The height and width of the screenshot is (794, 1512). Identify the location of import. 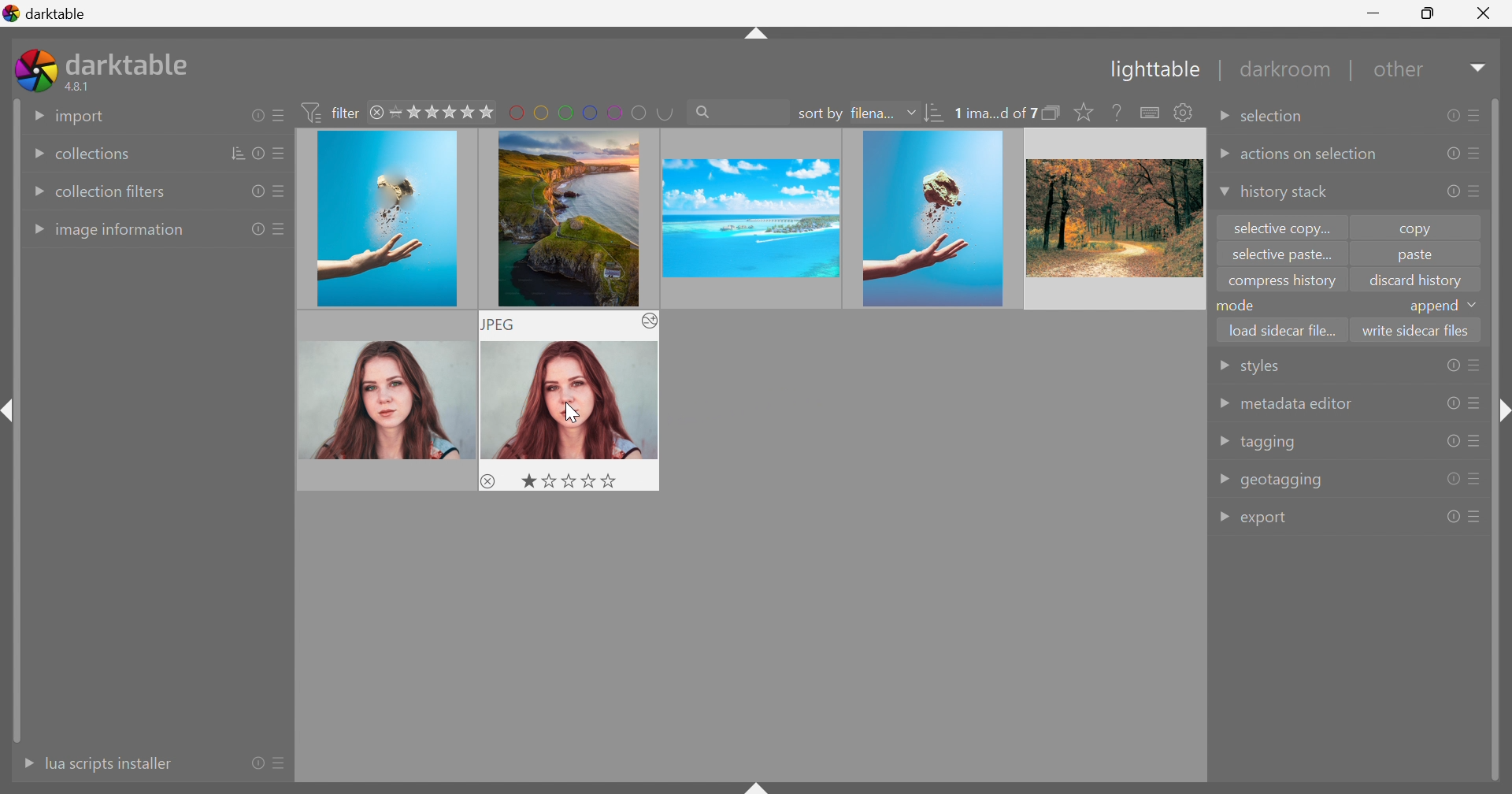
(81, 117).